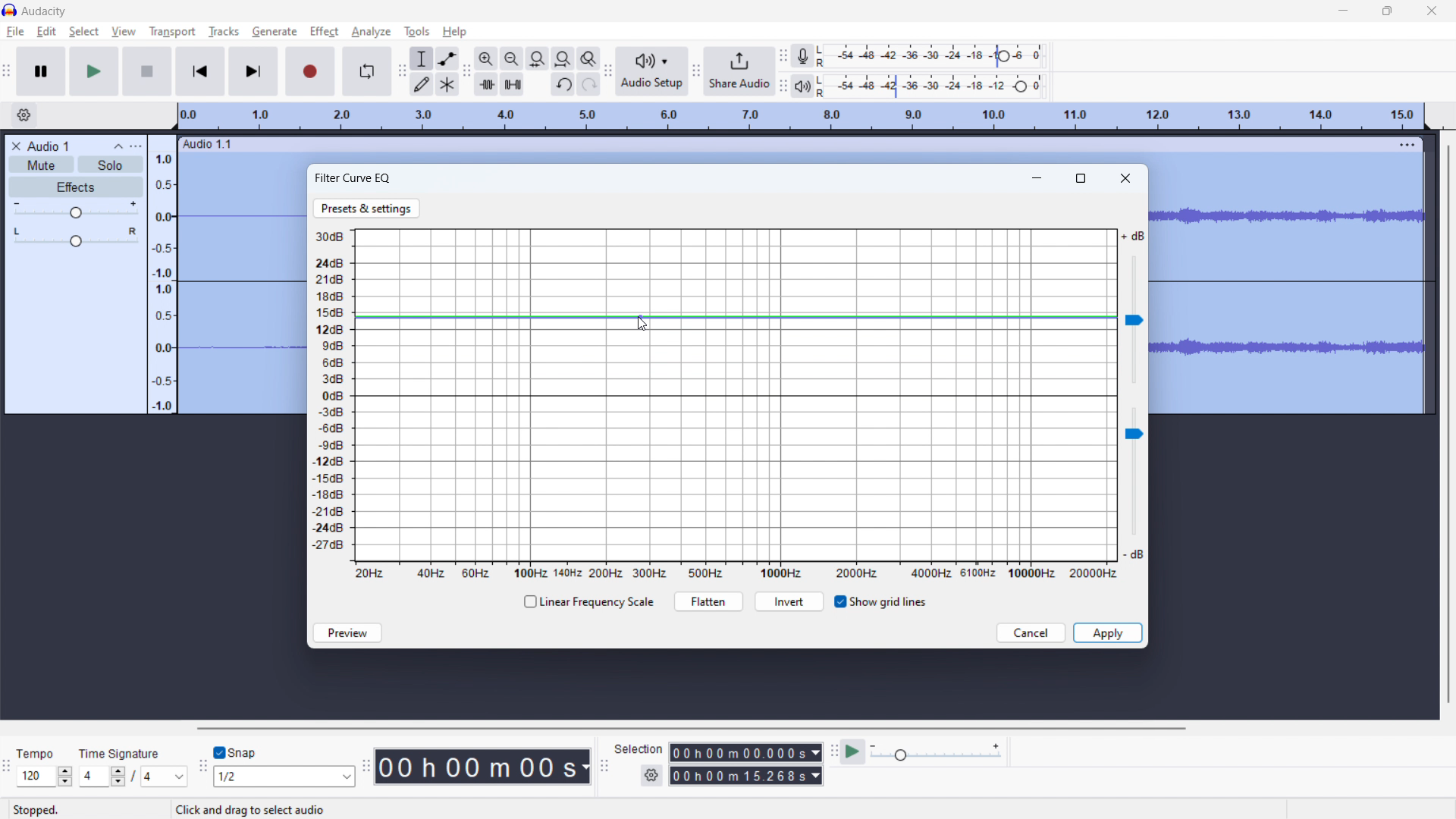  What do you see at coordinates (588, 84) in the screenshot?
I see `redo` at bounding box center [588, 84].